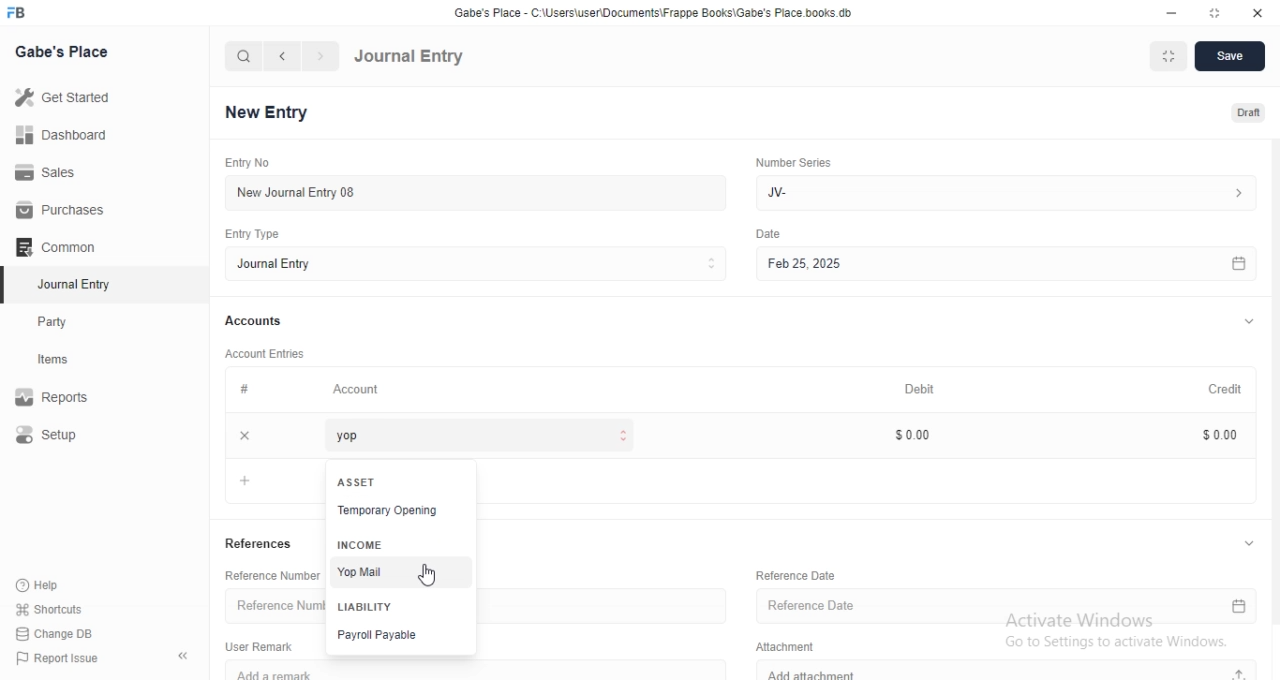 The height and width of the screenshot is (680, 1280). Describe the element at coordinates (255, 322) in the screenshot. I see `Accounts` at that location.